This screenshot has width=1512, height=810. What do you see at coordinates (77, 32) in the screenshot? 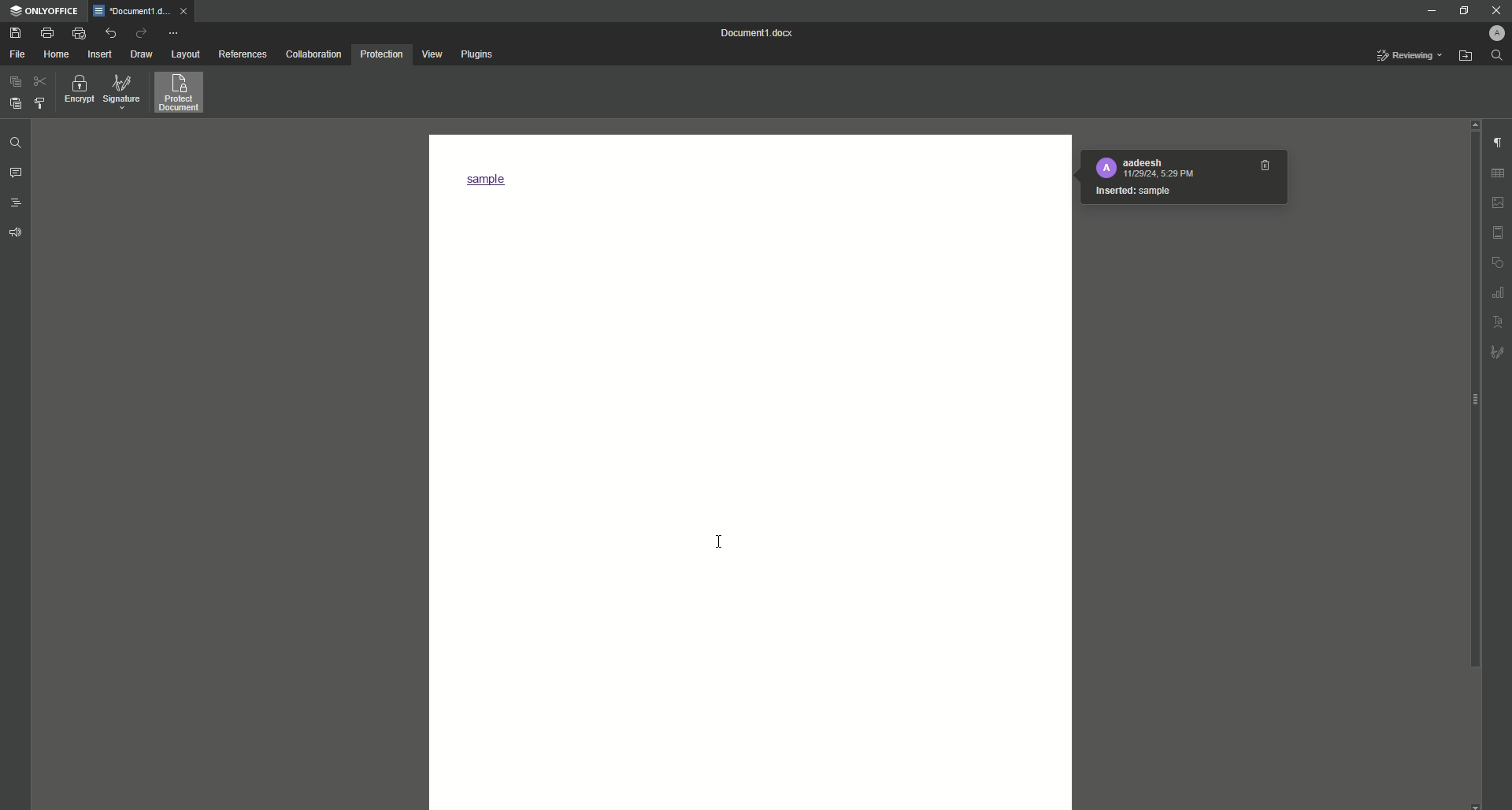
I see `Quick print` at bounding box center [77, 32].